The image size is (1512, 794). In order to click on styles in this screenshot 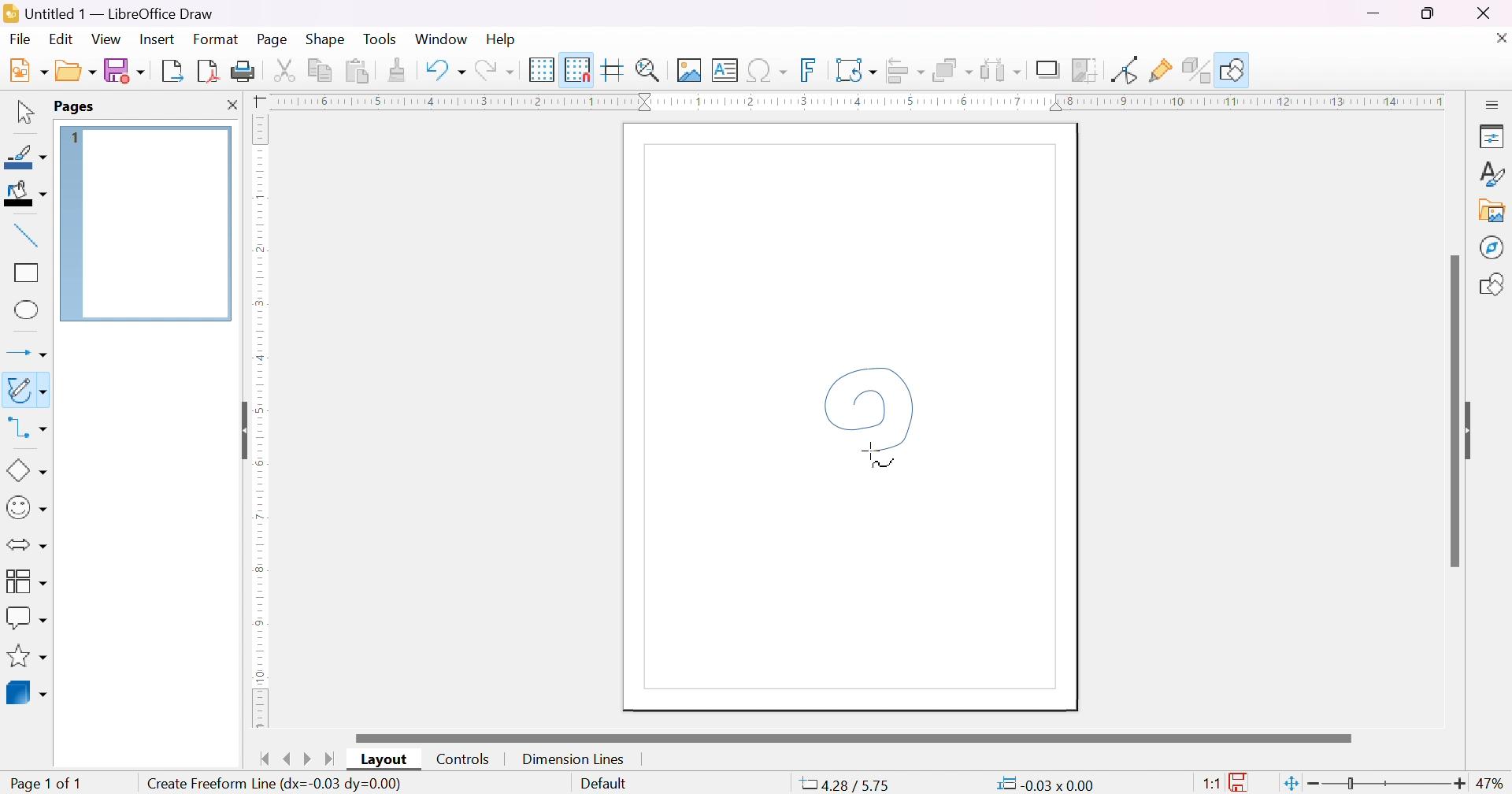, I will do `click(1492, 173)`.